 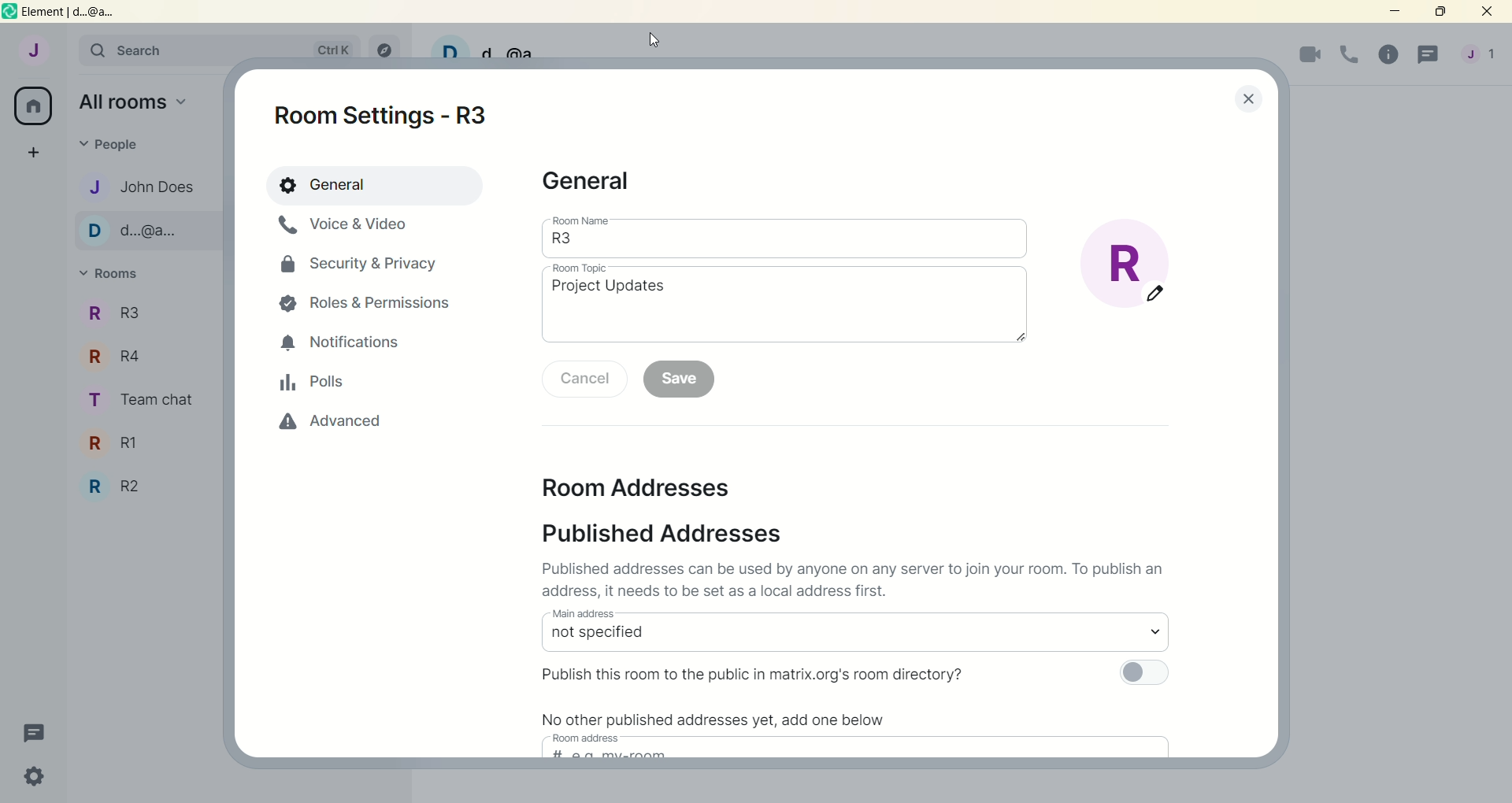 What do you see at coordinates (1306, 55) in the screenshot?
I see `video call` at bounding box center [1306, 55].